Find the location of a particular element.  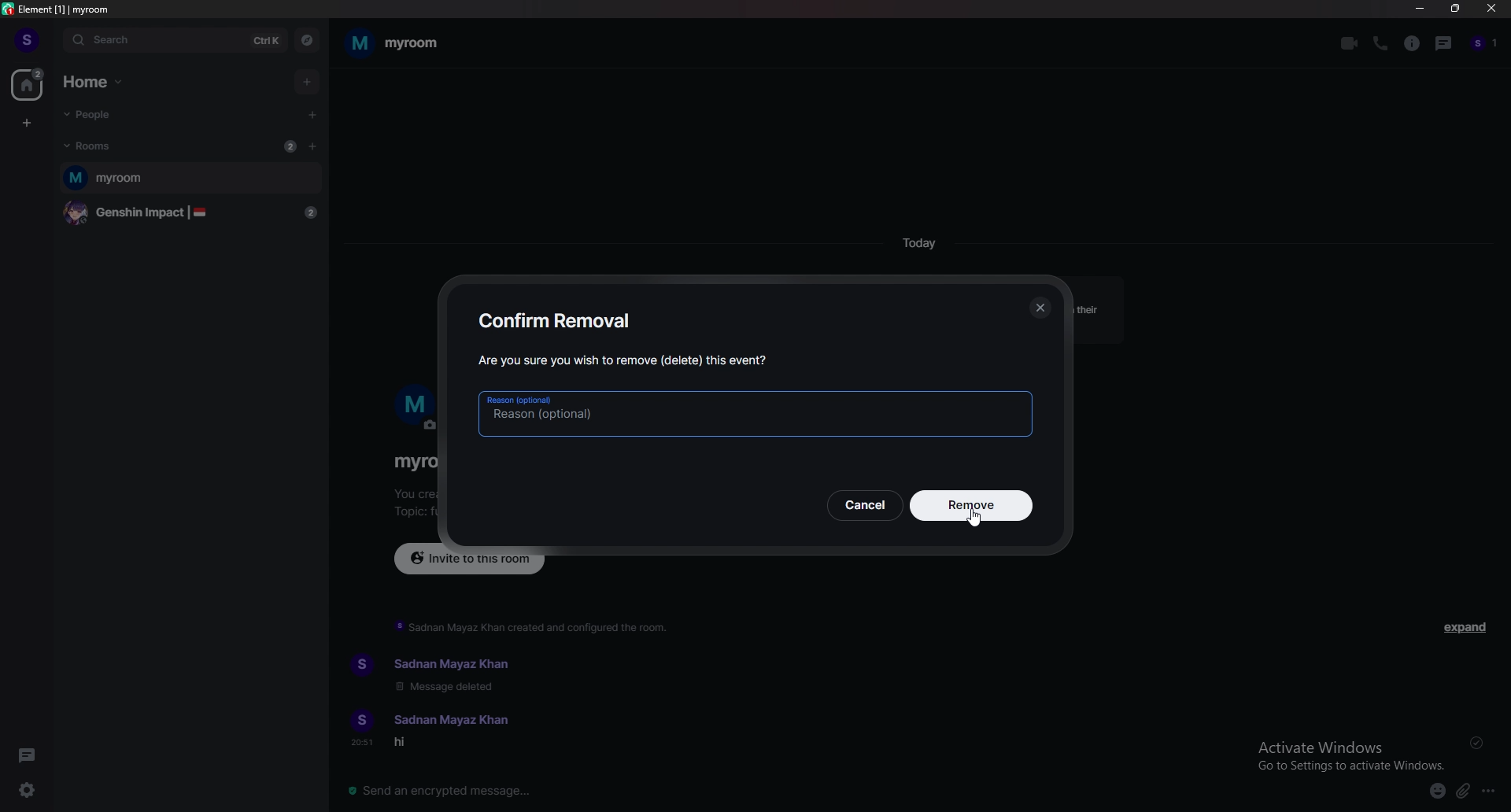

create space is located at coordinates (27, 124).